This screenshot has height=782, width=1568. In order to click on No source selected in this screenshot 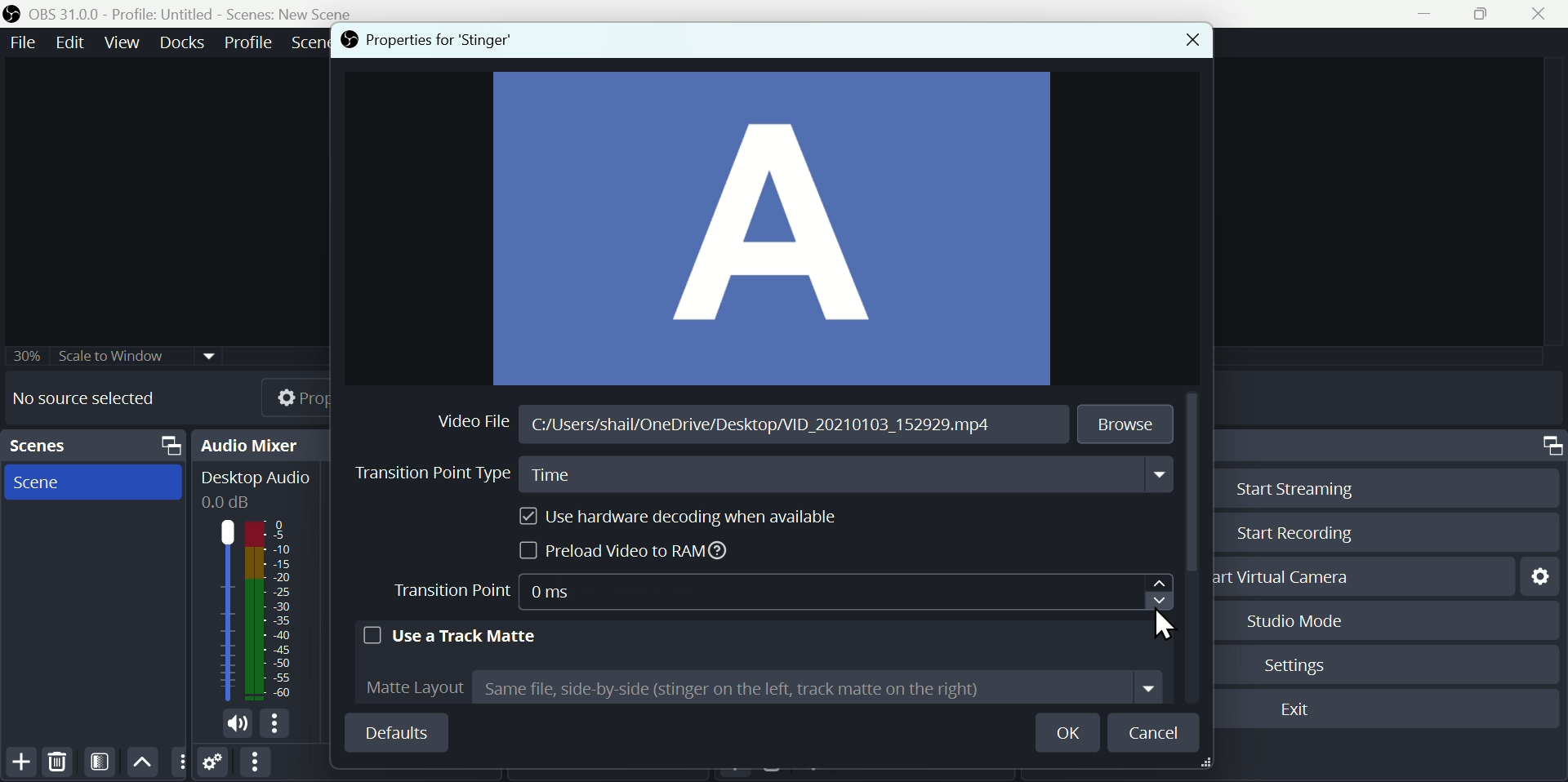, I will do `click(96, 398)`.